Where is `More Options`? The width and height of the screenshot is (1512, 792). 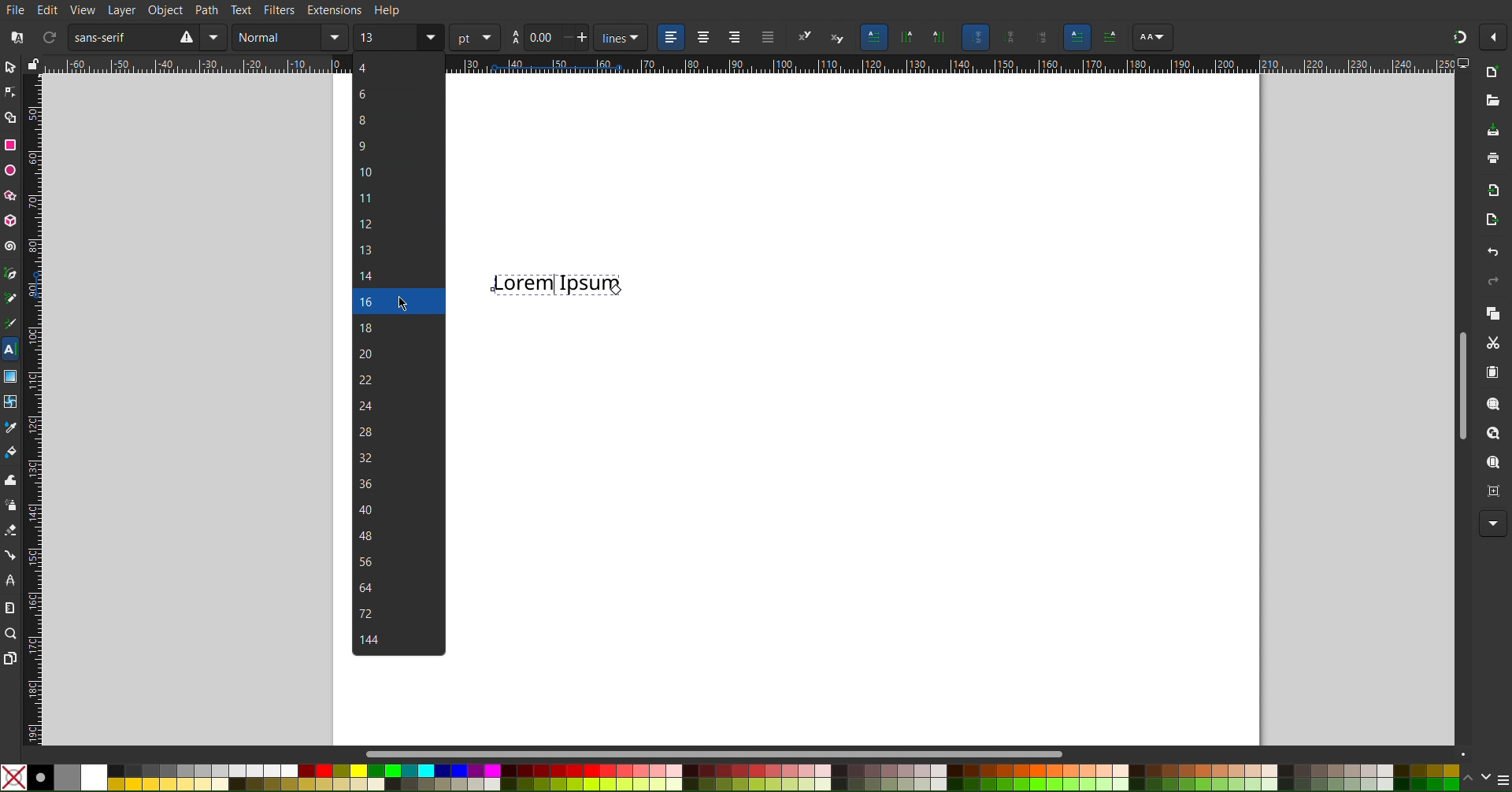 More Options is located at coordinates (1493, 524).